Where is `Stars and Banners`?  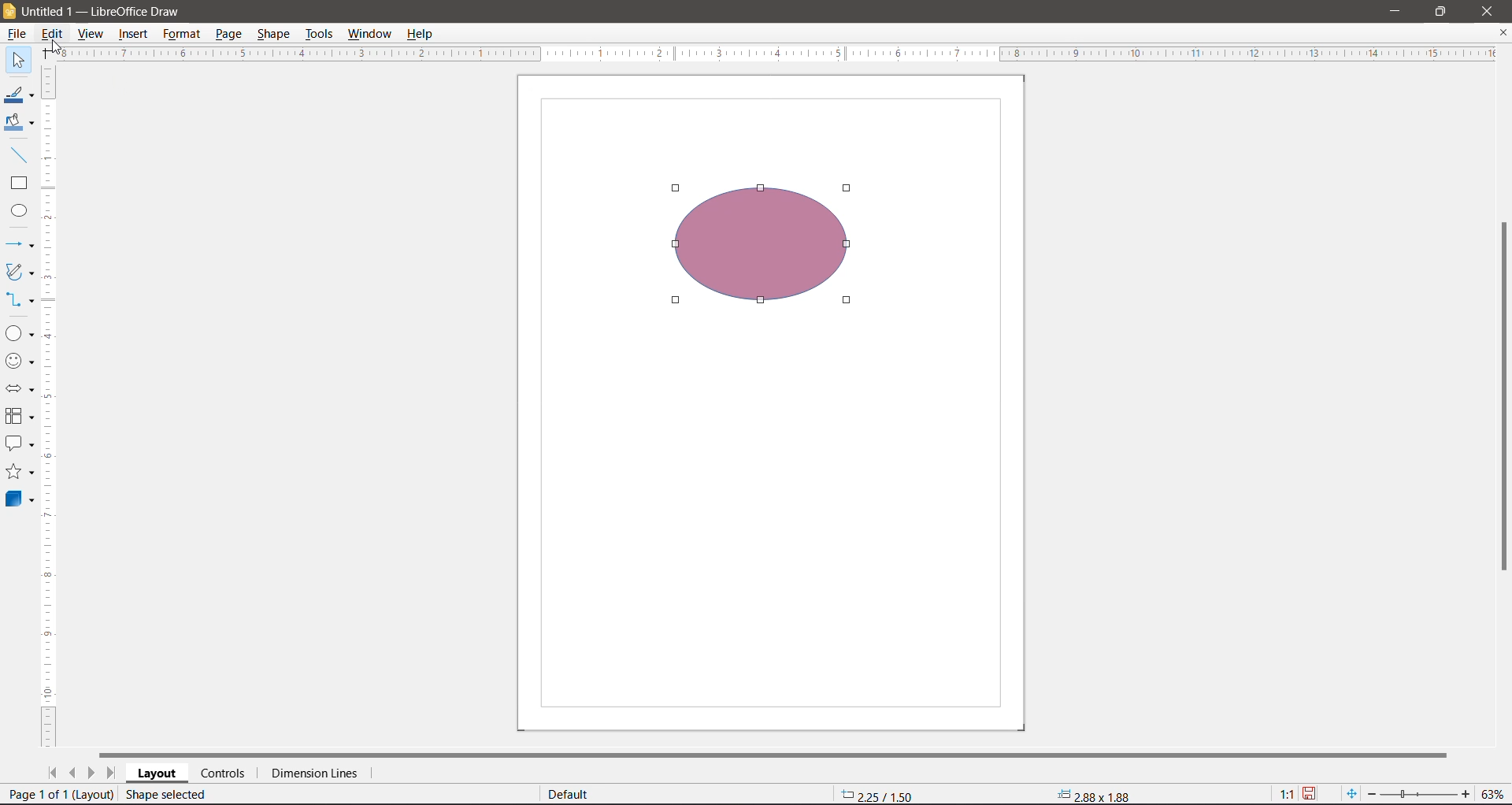 Stars and Banners is located at coordinates (20, 471).